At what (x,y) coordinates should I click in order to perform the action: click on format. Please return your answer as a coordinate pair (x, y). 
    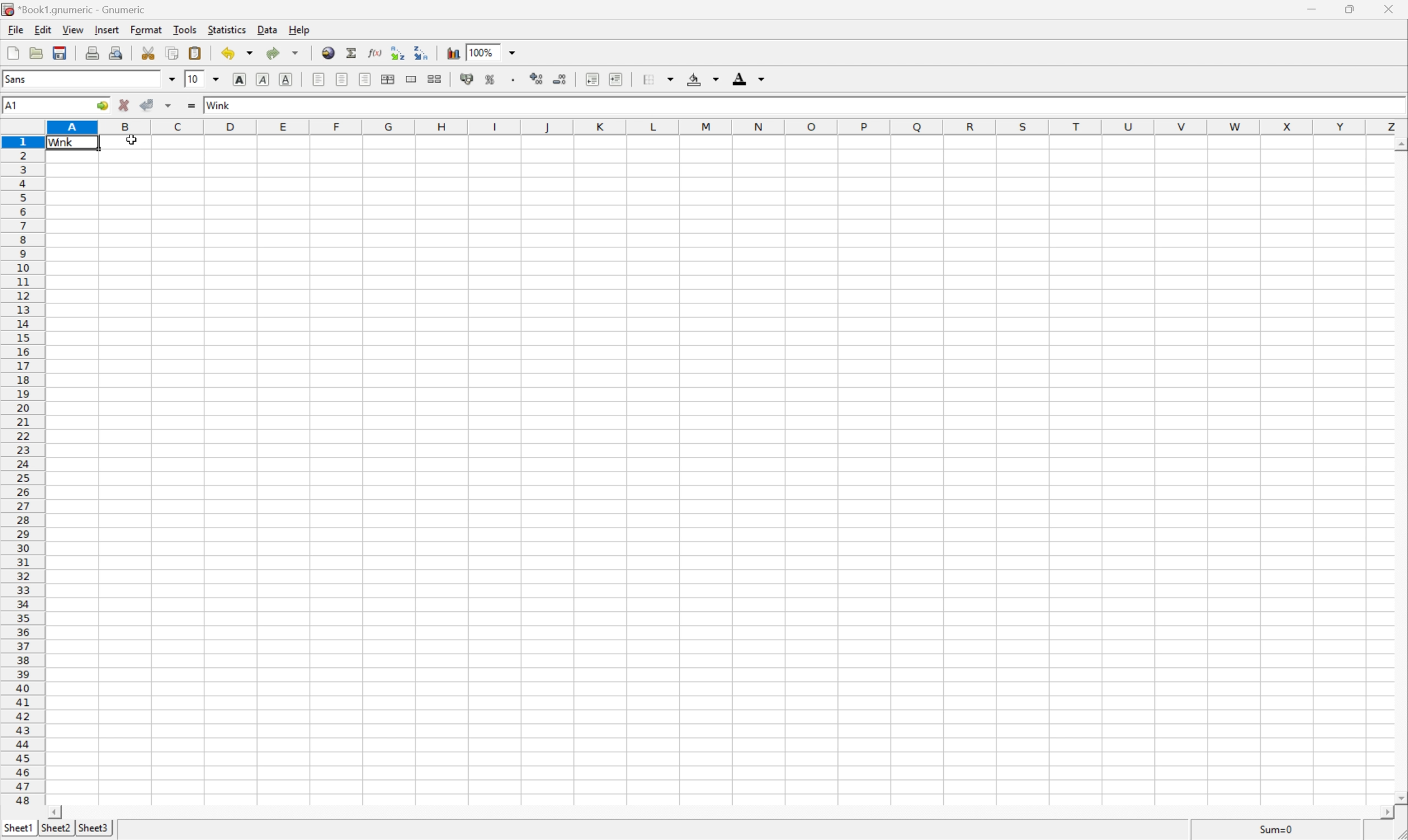
    Looking at the image, I should click on (146, 31).